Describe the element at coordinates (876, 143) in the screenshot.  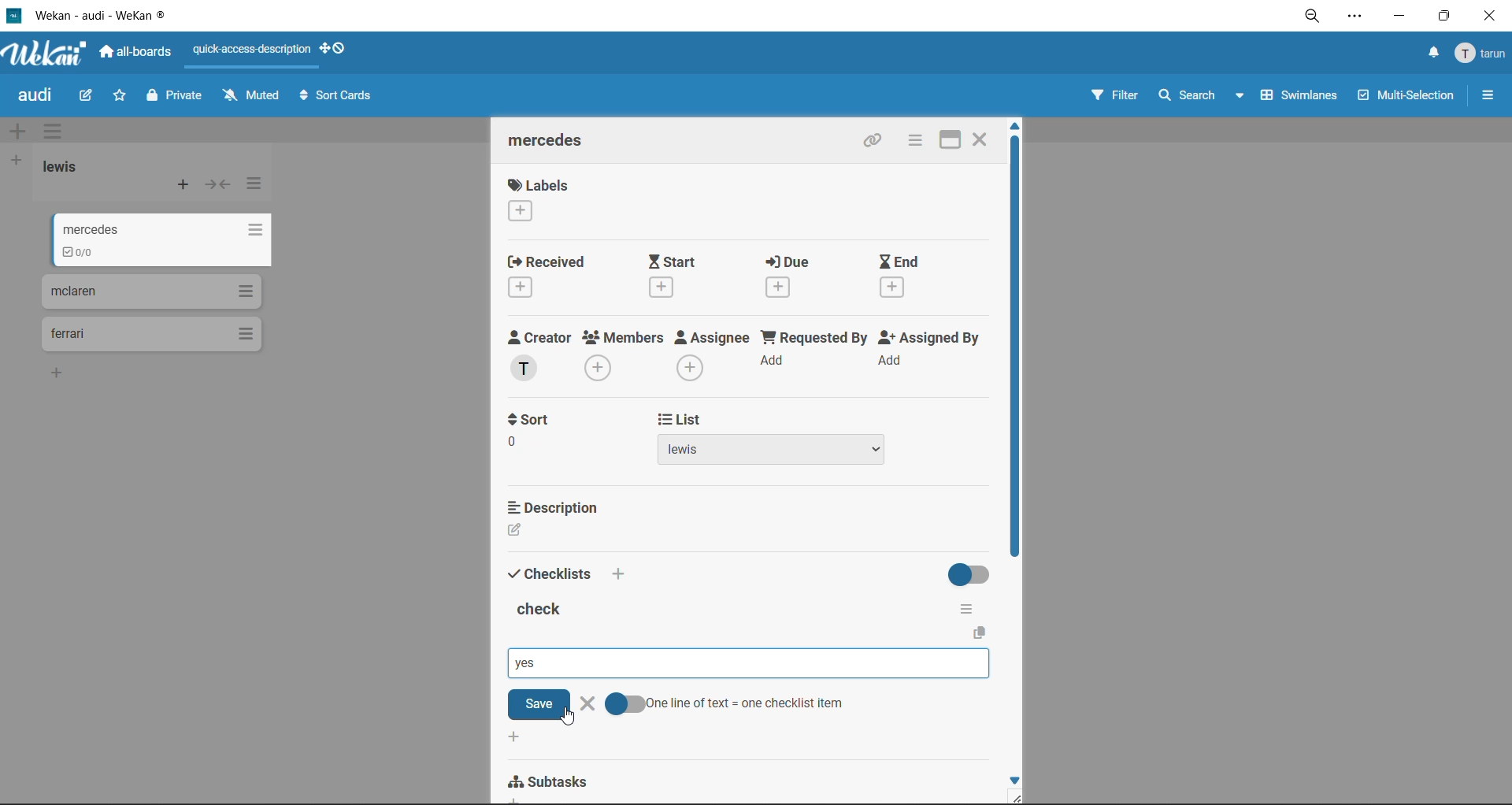
I see `copy` at that location.